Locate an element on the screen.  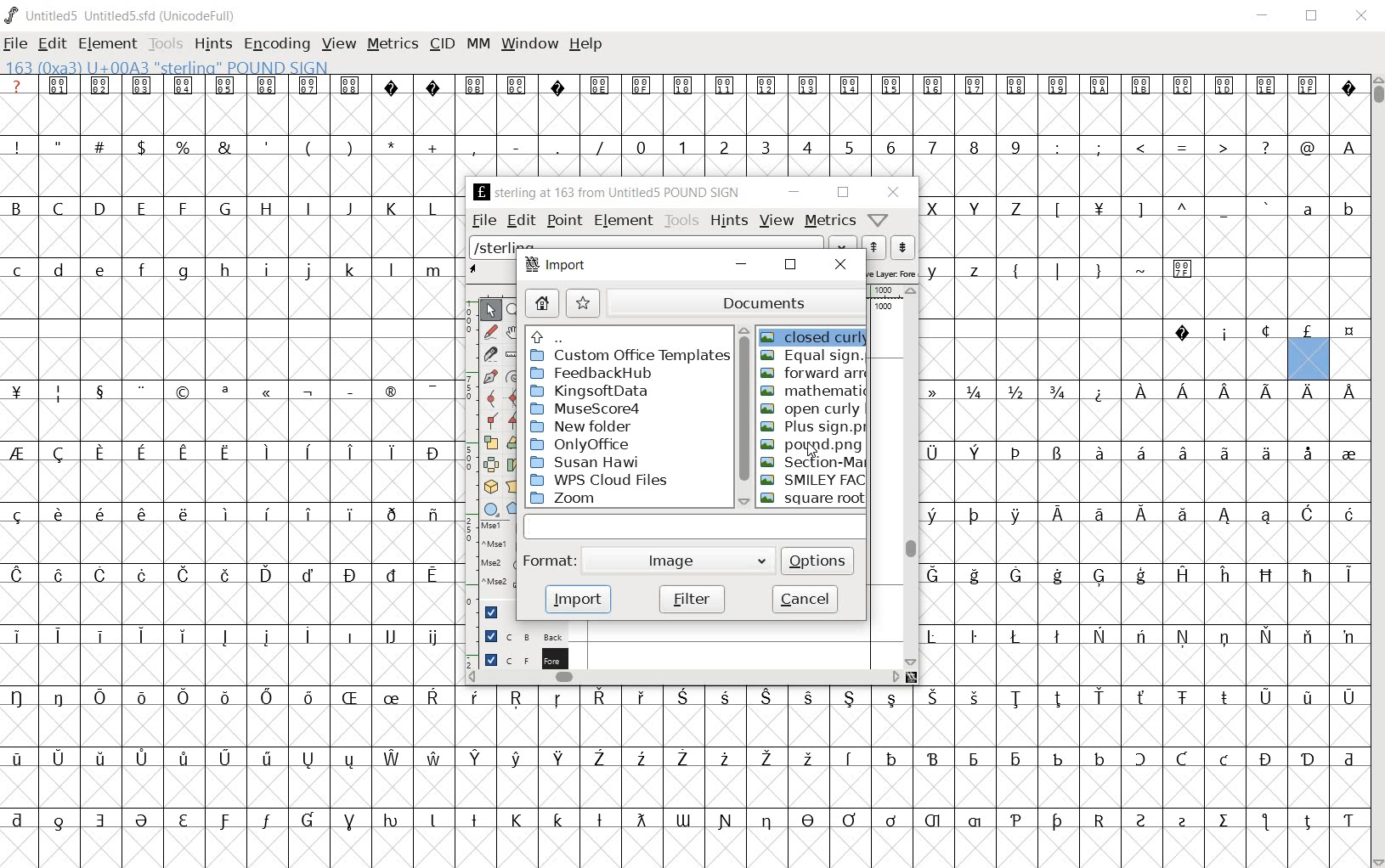
Symbol is located at coordinates (349, 634).